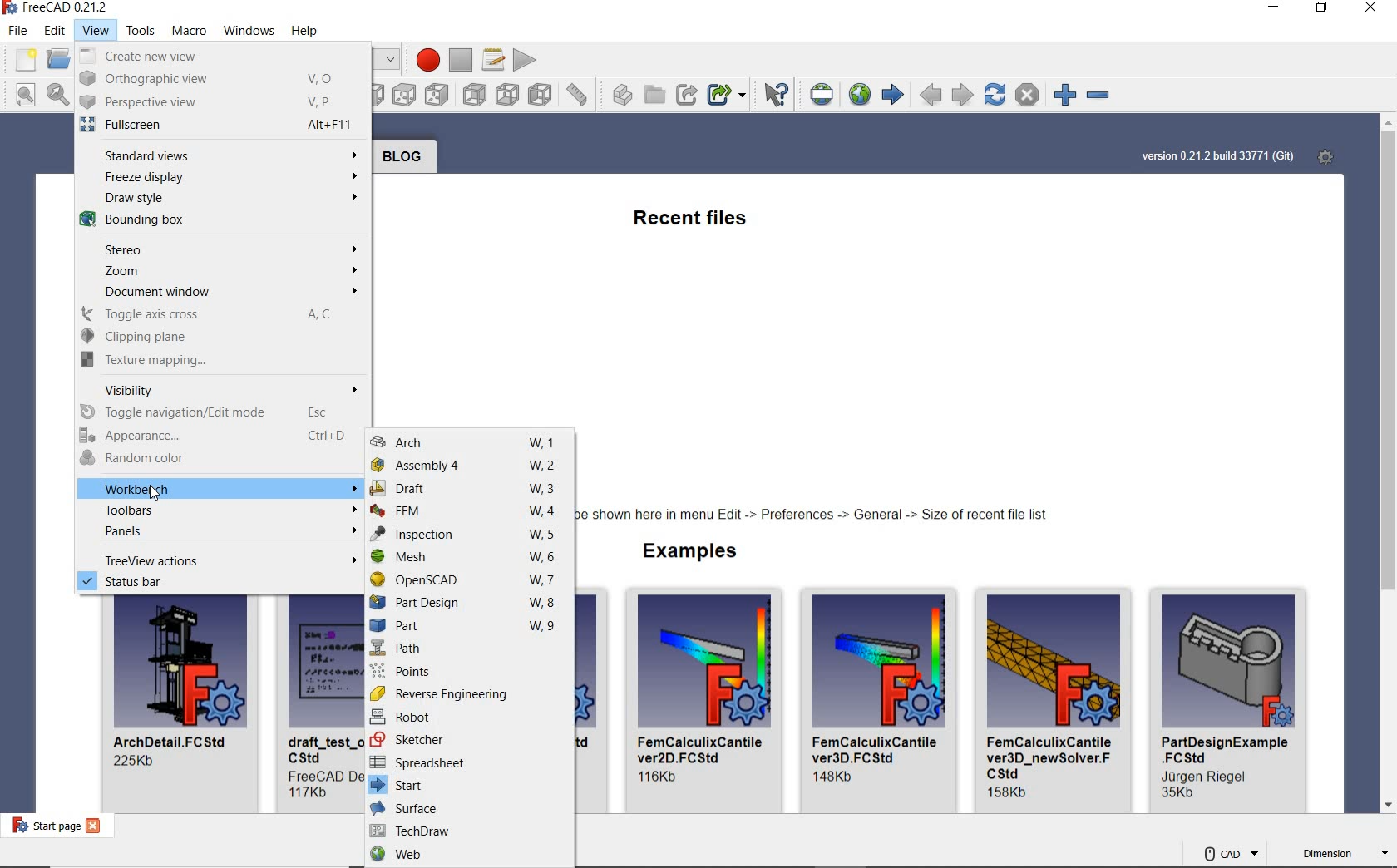 This screenshot has width=1397, height=868. What do you see at coordinates (466, 536) in the screenshot?
I see `inspection` at bounding box center [466, 536].